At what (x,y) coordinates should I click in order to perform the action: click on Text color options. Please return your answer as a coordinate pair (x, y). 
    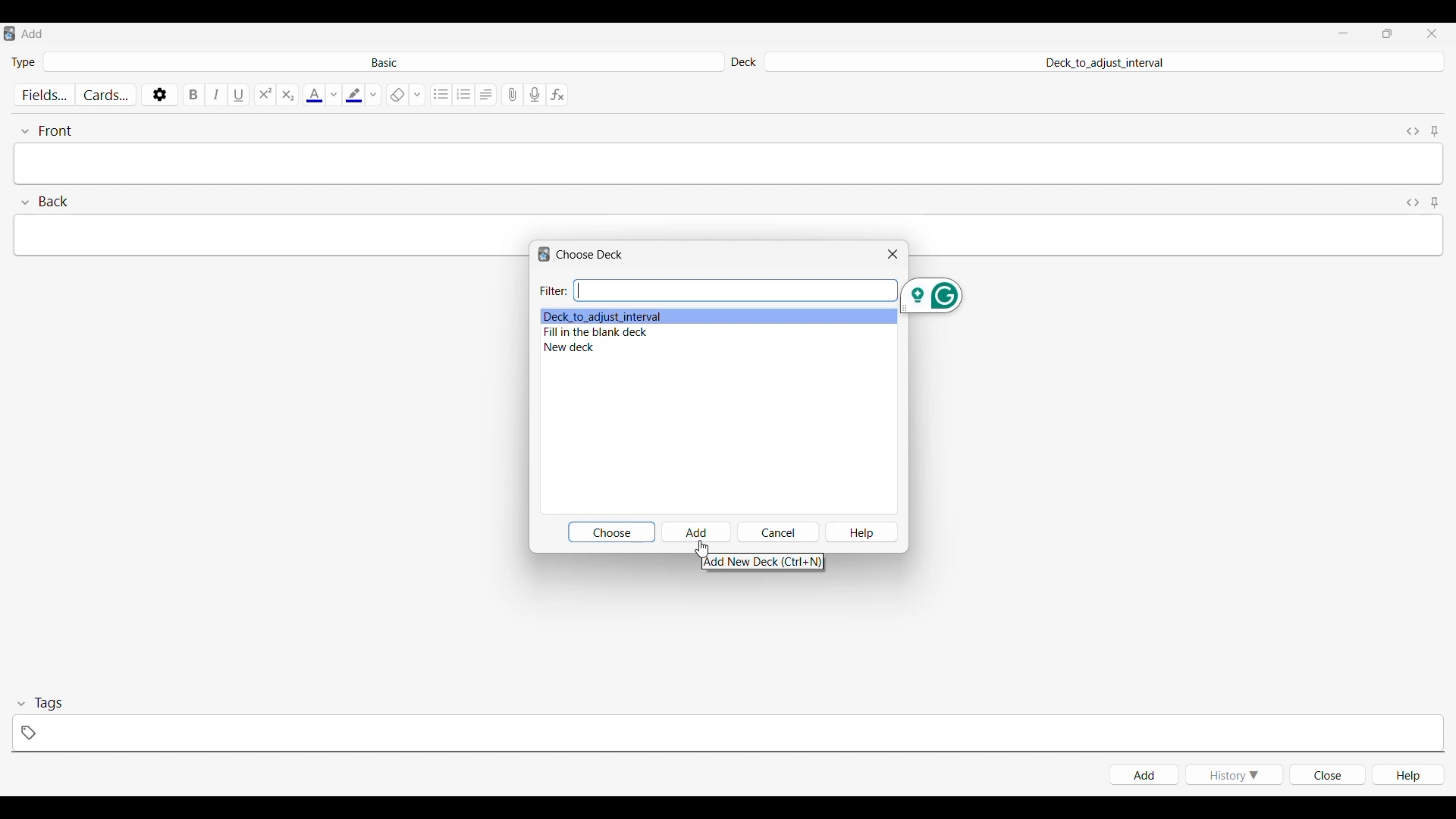
    Looking at the image, I should click on (333, 95).